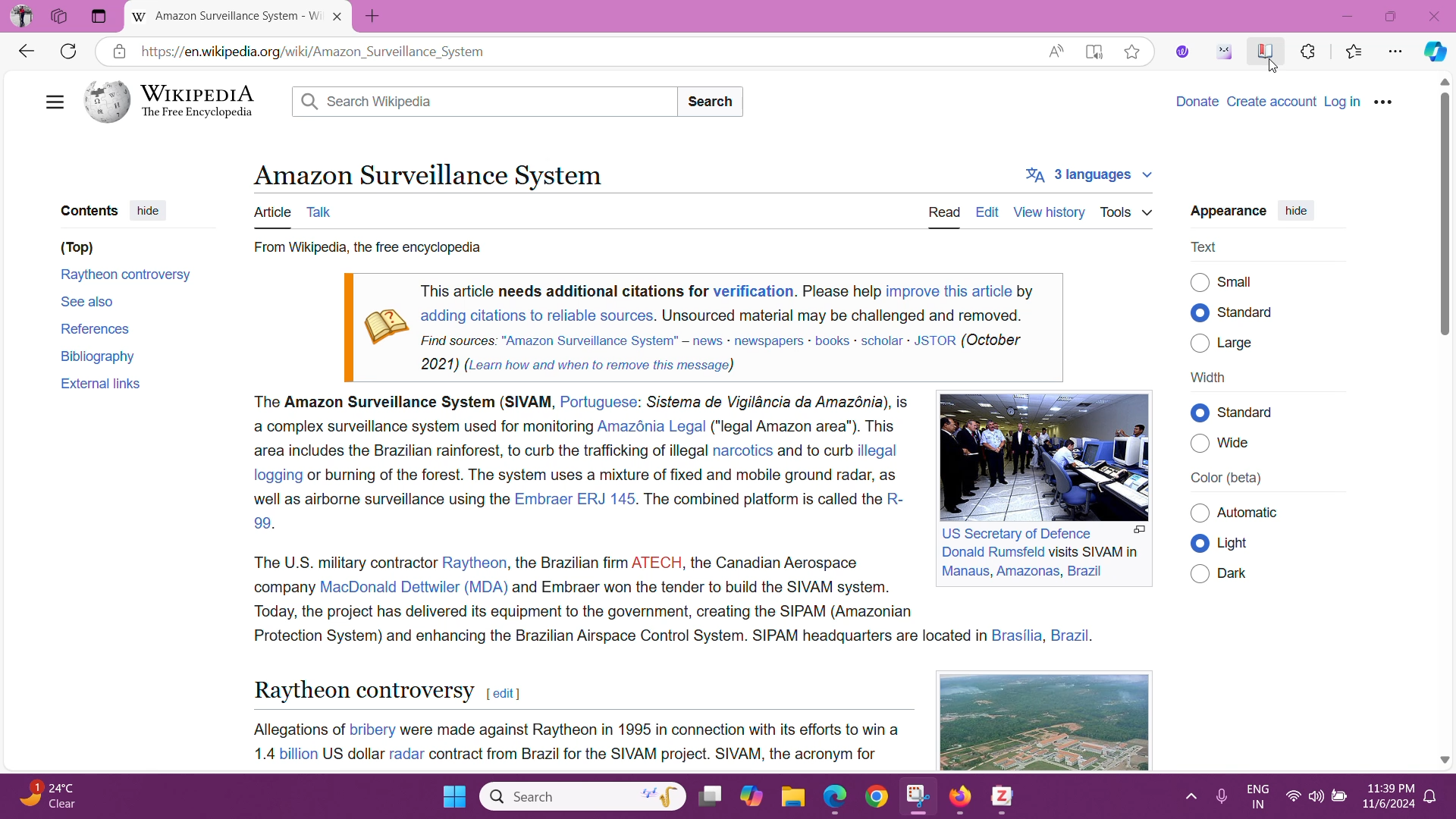 The width and height of the screenshot is (1456, 819). I want to click on Edge Browser Tab, so click(227, 17).